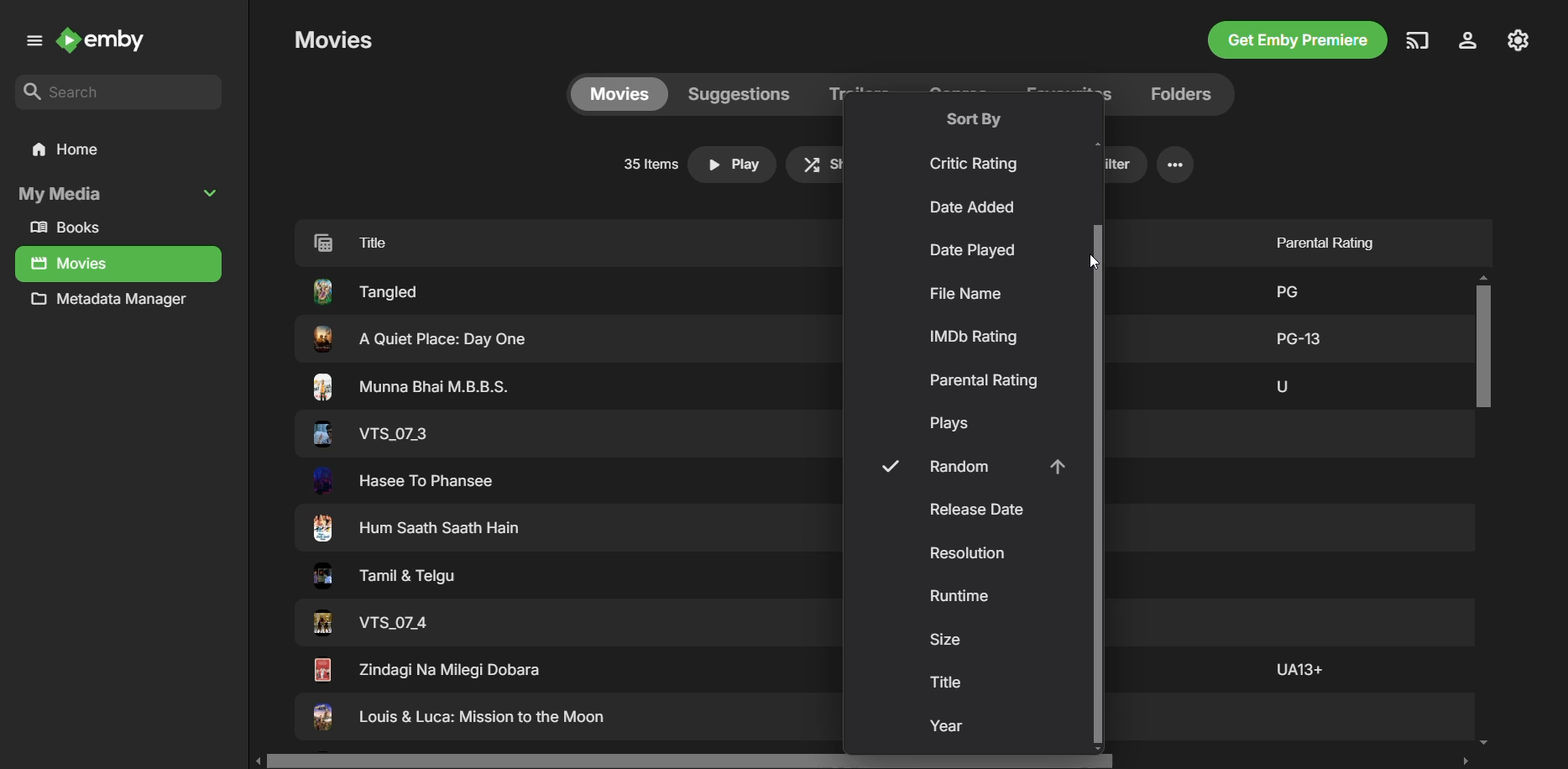 The image size is (1568, 769). What do you see at coordinates (974, 118) in the screenshot?
I see `Sort By` at bounding box center [974, 118].